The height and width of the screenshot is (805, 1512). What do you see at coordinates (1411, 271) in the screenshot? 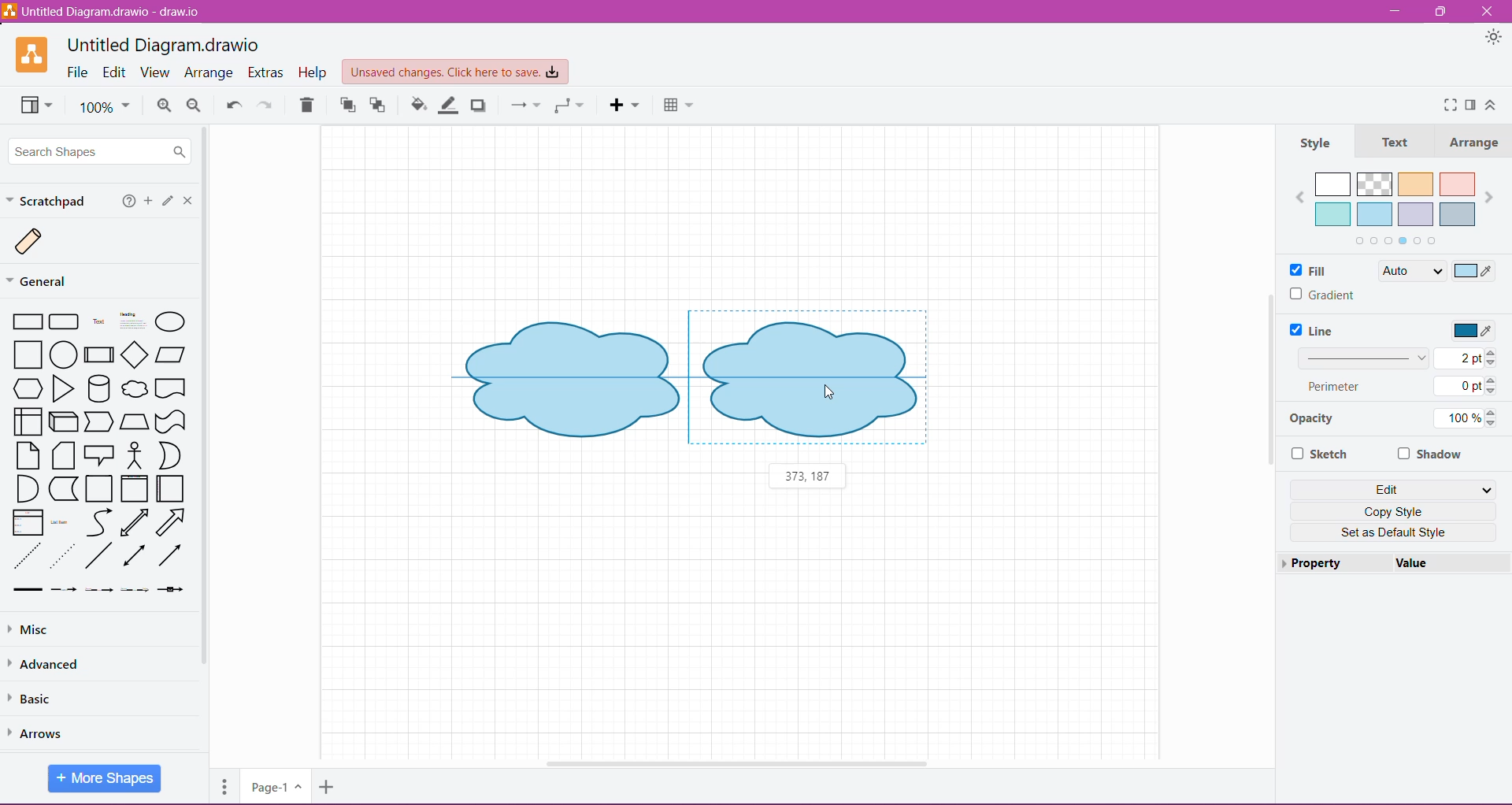
I see `Auto` at bounding box center [1411, 271].